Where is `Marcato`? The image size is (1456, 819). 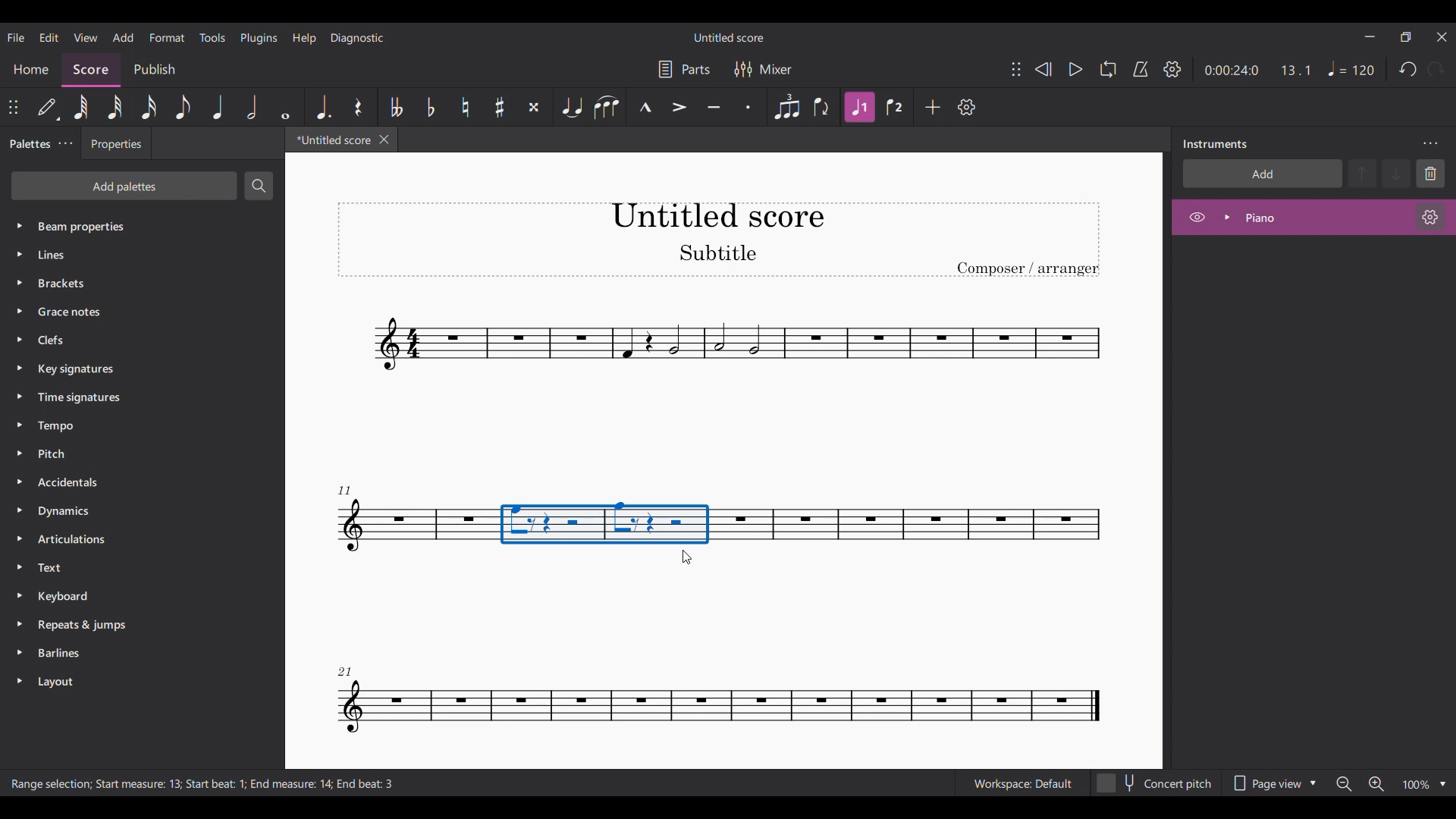 Marcato is located at coordinates (645, 107).